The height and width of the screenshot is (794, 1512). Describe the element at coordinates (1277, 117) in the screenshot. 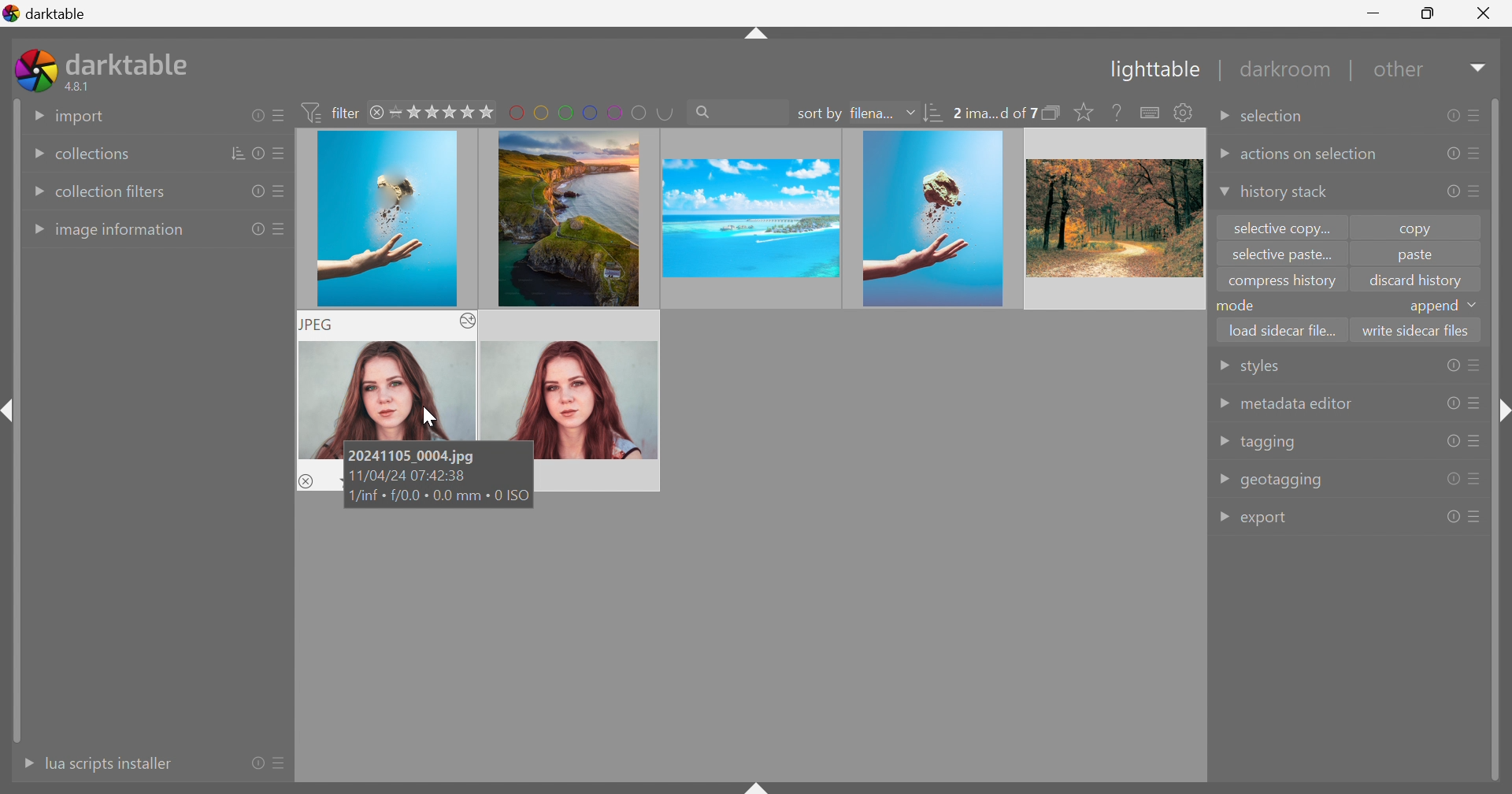

I see `selection` at that location.